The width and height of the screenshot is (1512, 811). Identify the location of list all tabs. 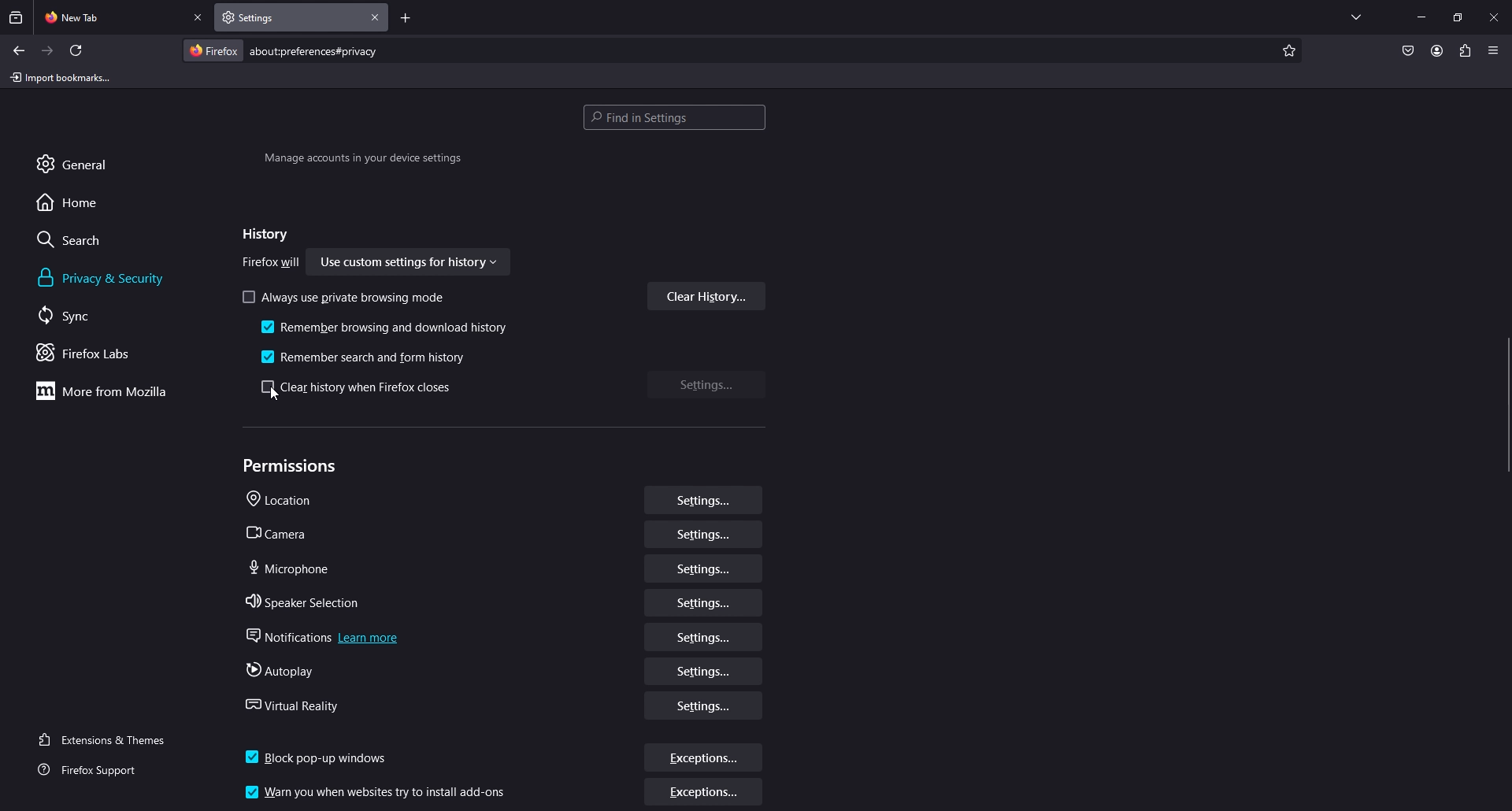
(1356, 14).